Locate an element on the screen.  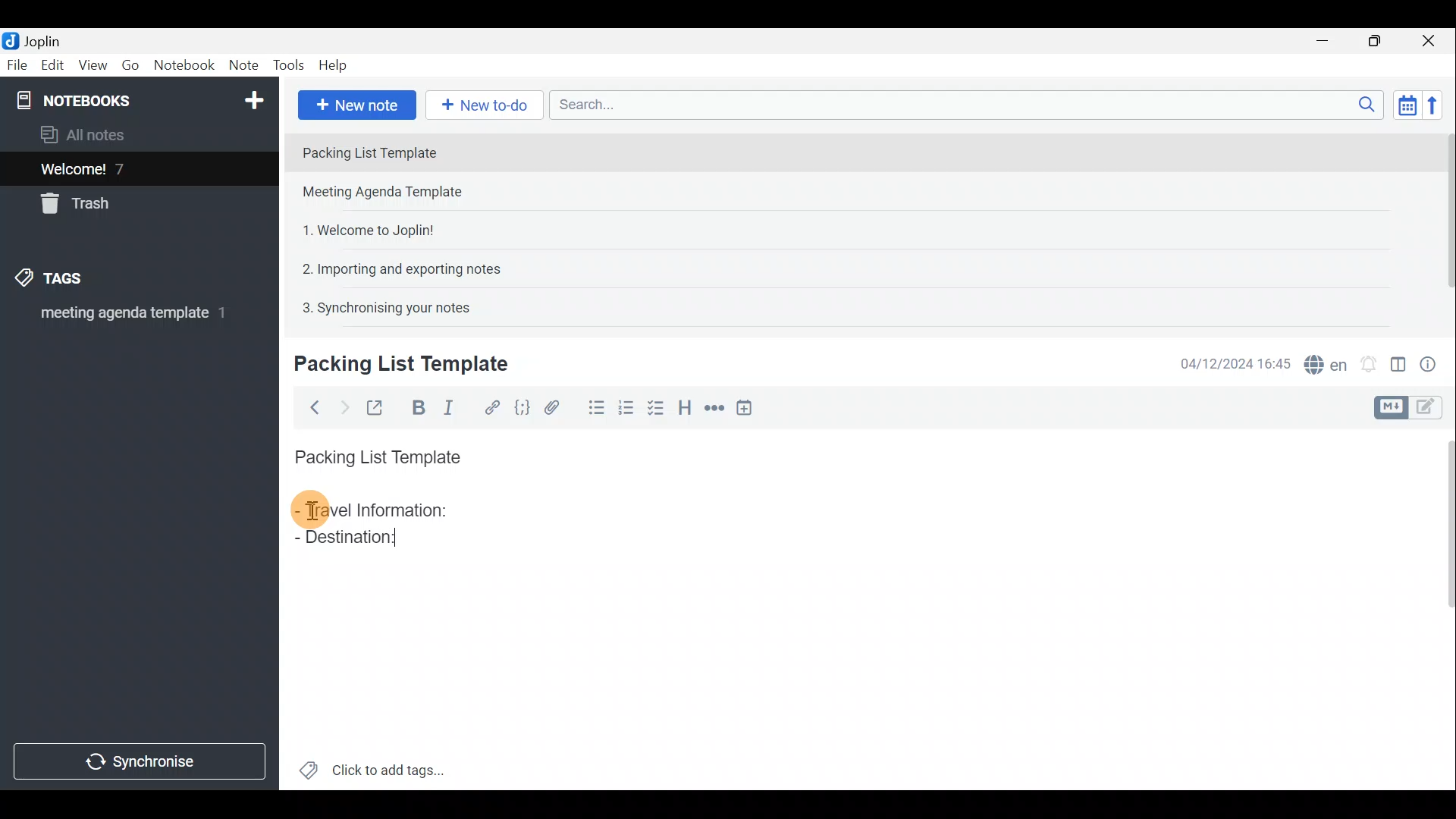
Reverse sort order is located at coordinates (1438, 104).